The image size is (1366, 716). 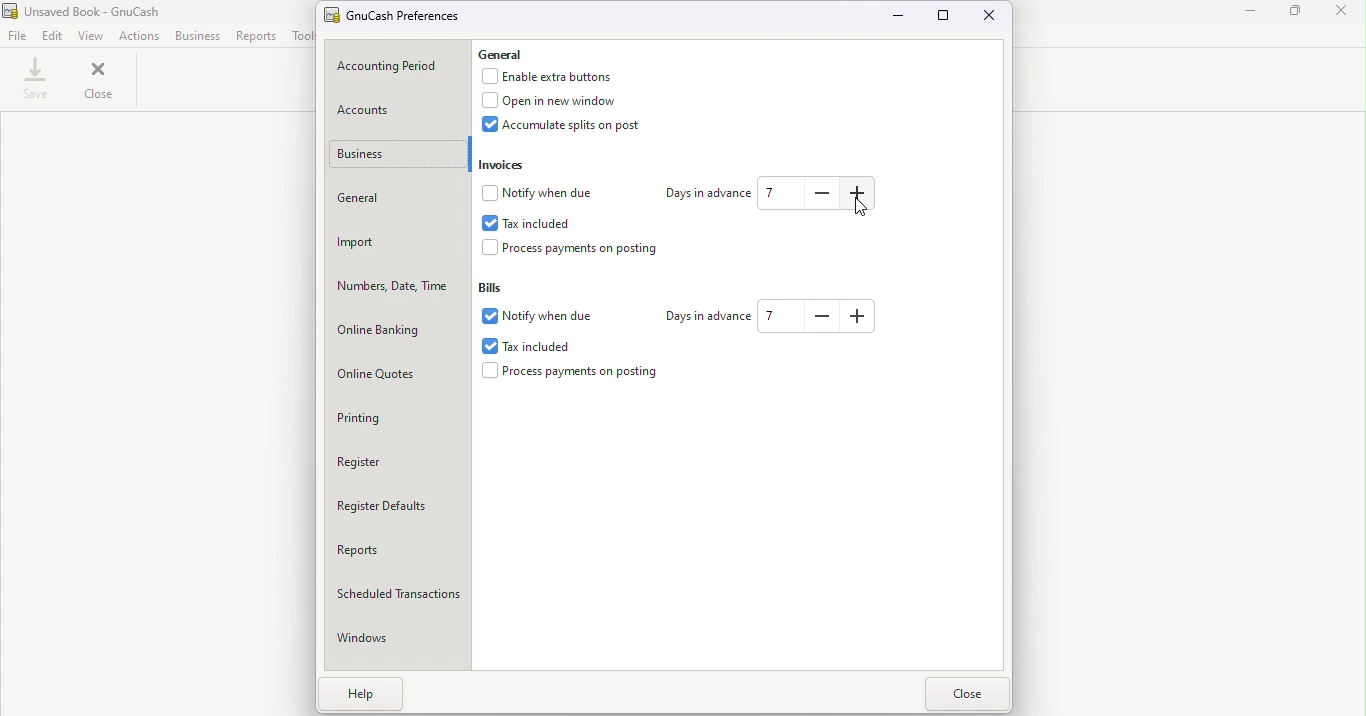 I want to click on Tax included, so click(x=547, y=344).